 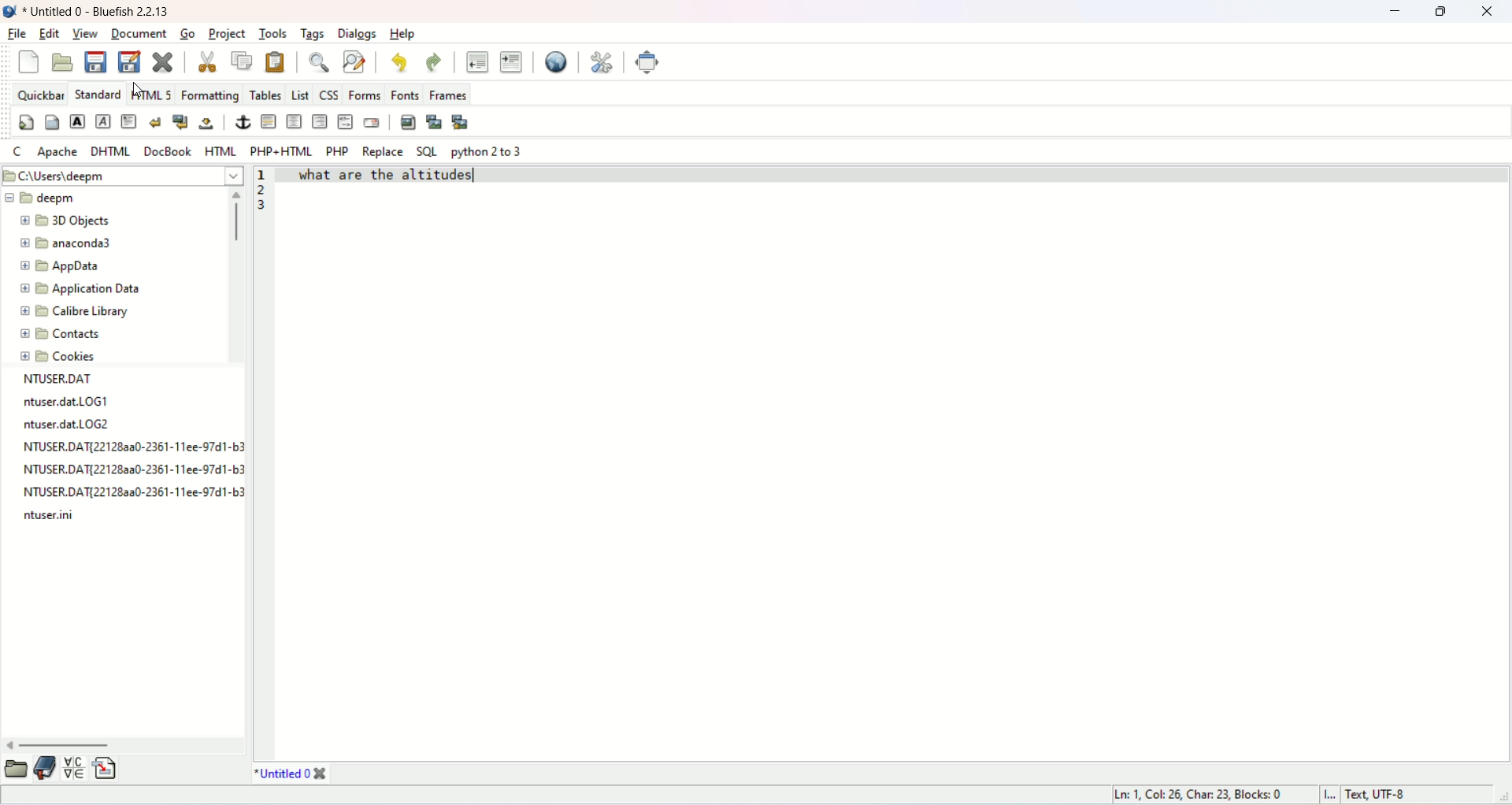 What do you see at coordinates (1199, 794) in the screenshot?
I see `ln, col, char, blocks` at bounding box center [1199, 794].